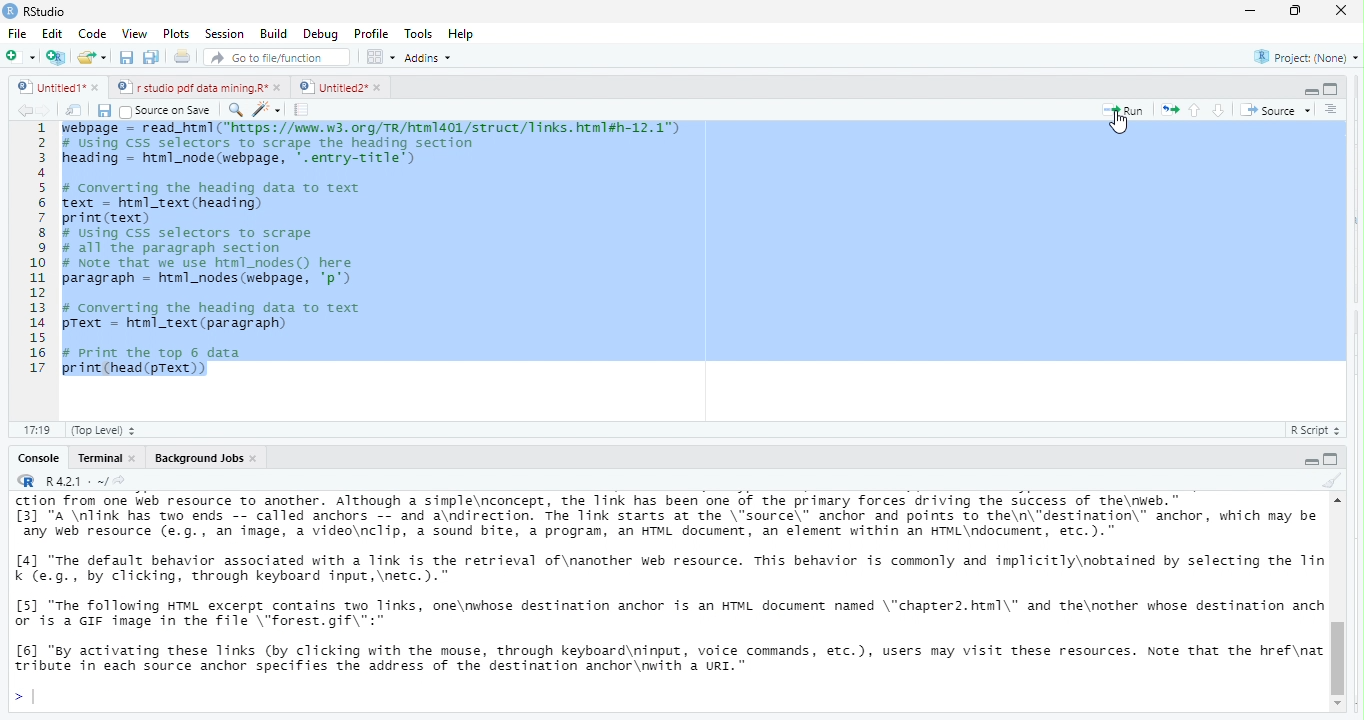 The image size is (1364, 720). I want to click on Background Jobs, so click(92, 483).